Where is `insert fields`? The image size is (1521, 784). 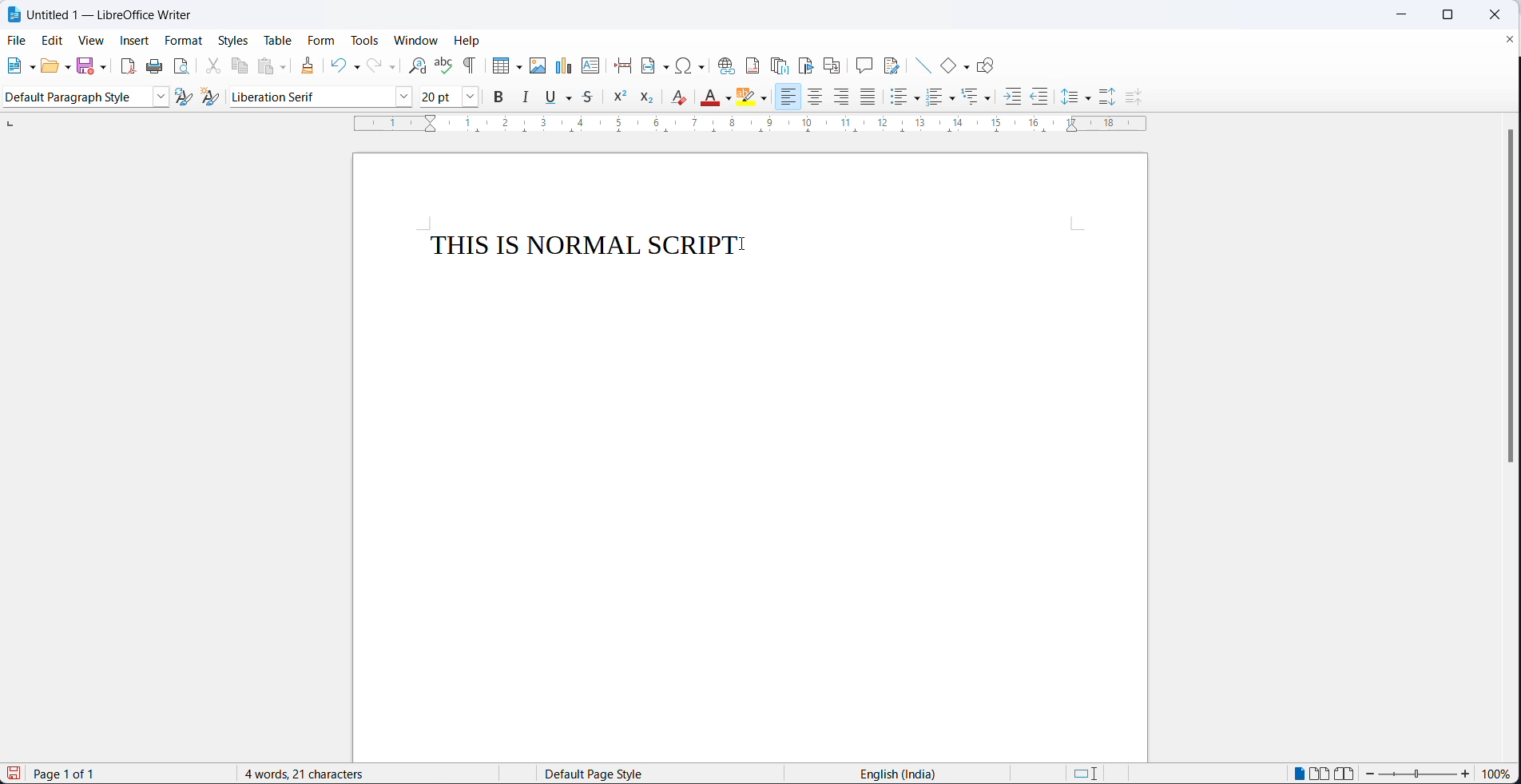
insert fields is located at coordinates (654, 63).